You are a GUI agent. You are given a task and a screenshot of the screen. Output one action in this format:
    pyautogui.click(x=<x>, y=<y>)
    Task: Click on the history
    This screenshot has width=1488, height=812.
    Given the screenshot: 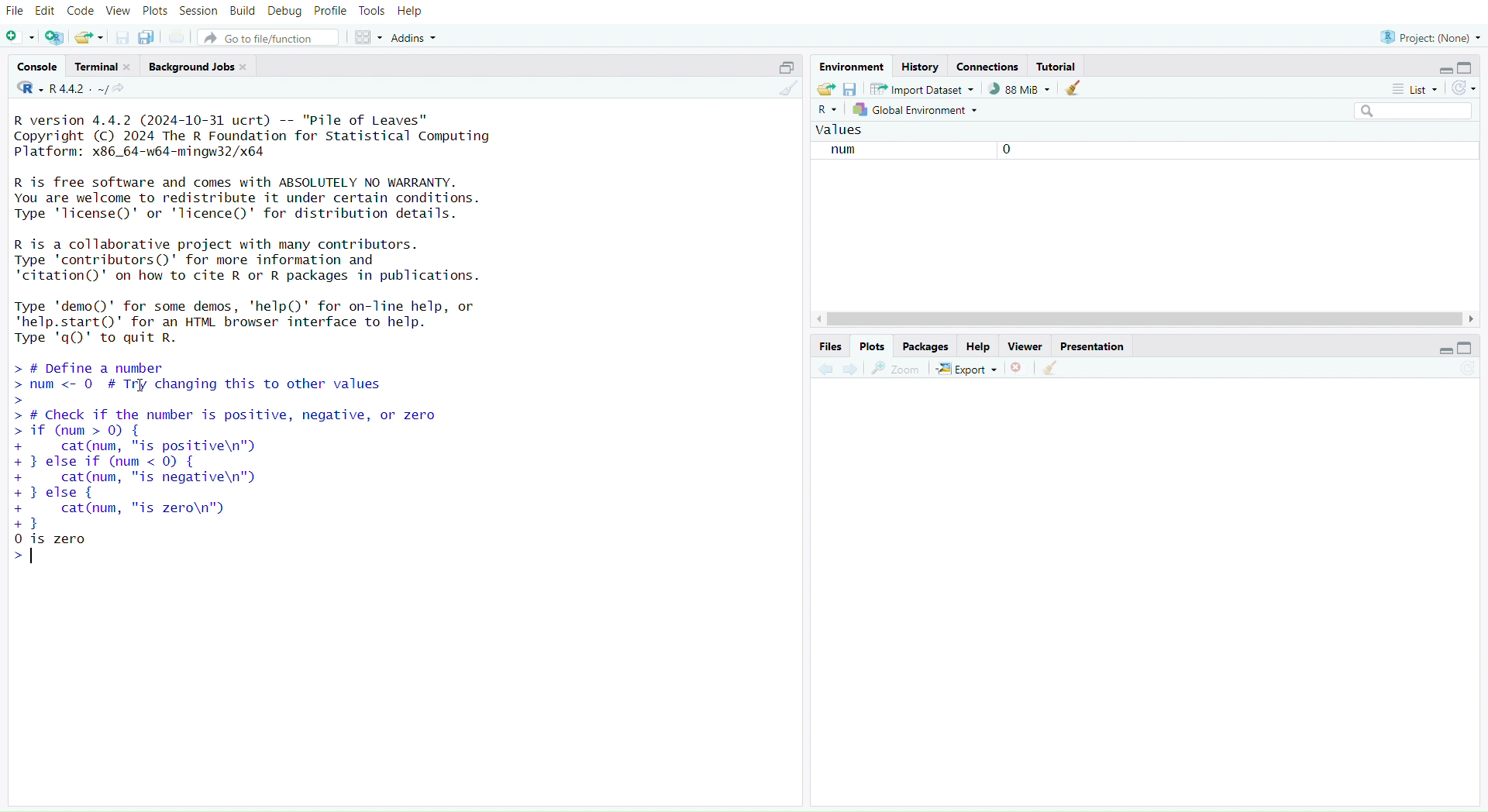 What is the action you would take?
    pyautogui.click(x=920, y=67)
    